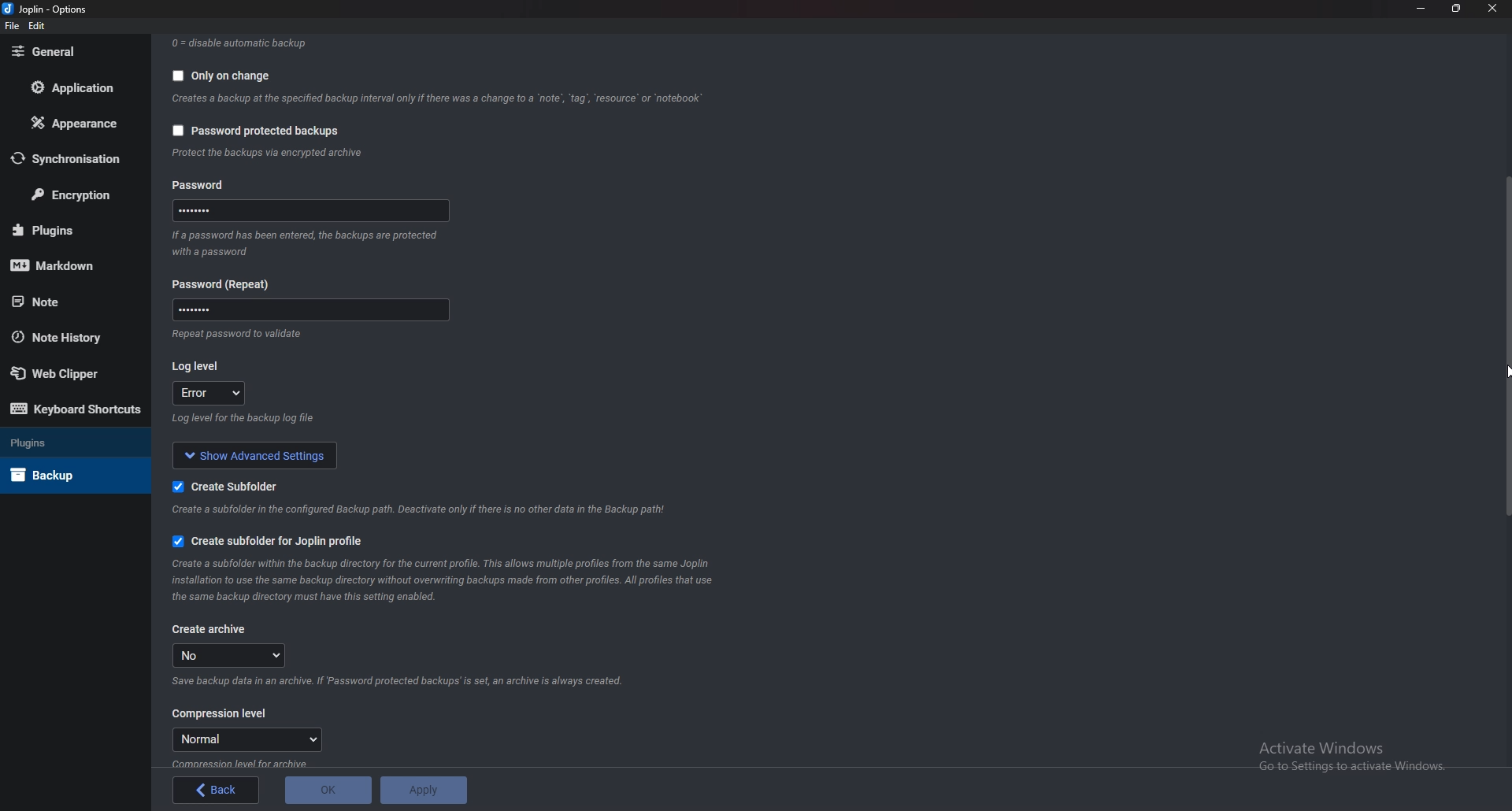  Describe the element at coordinates (233, 654) in the screenshot. I see `no` at that location.